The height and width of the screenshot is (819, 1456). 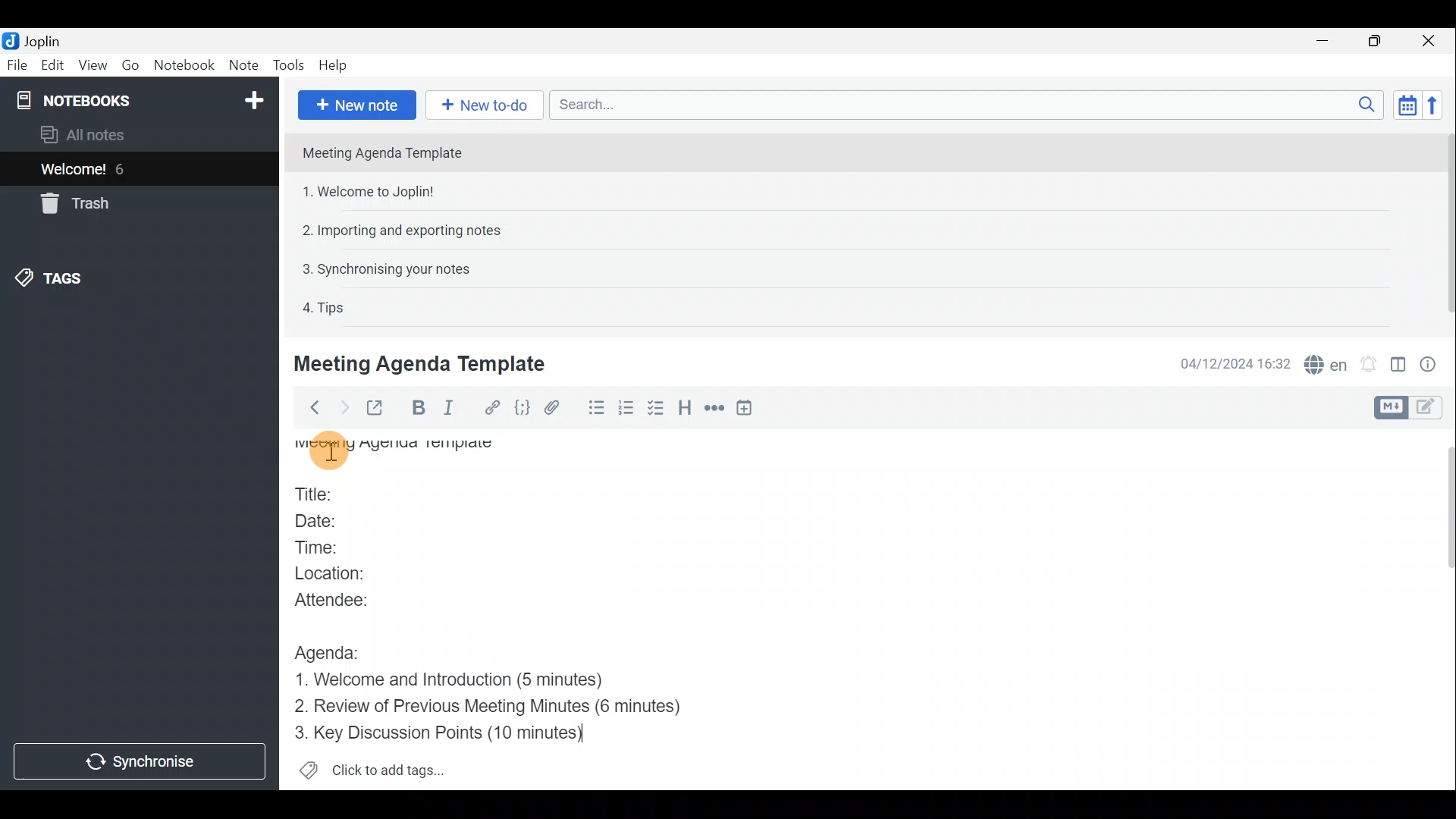 I want to click on Toggle editor layout, so click(x=1399, y=367).